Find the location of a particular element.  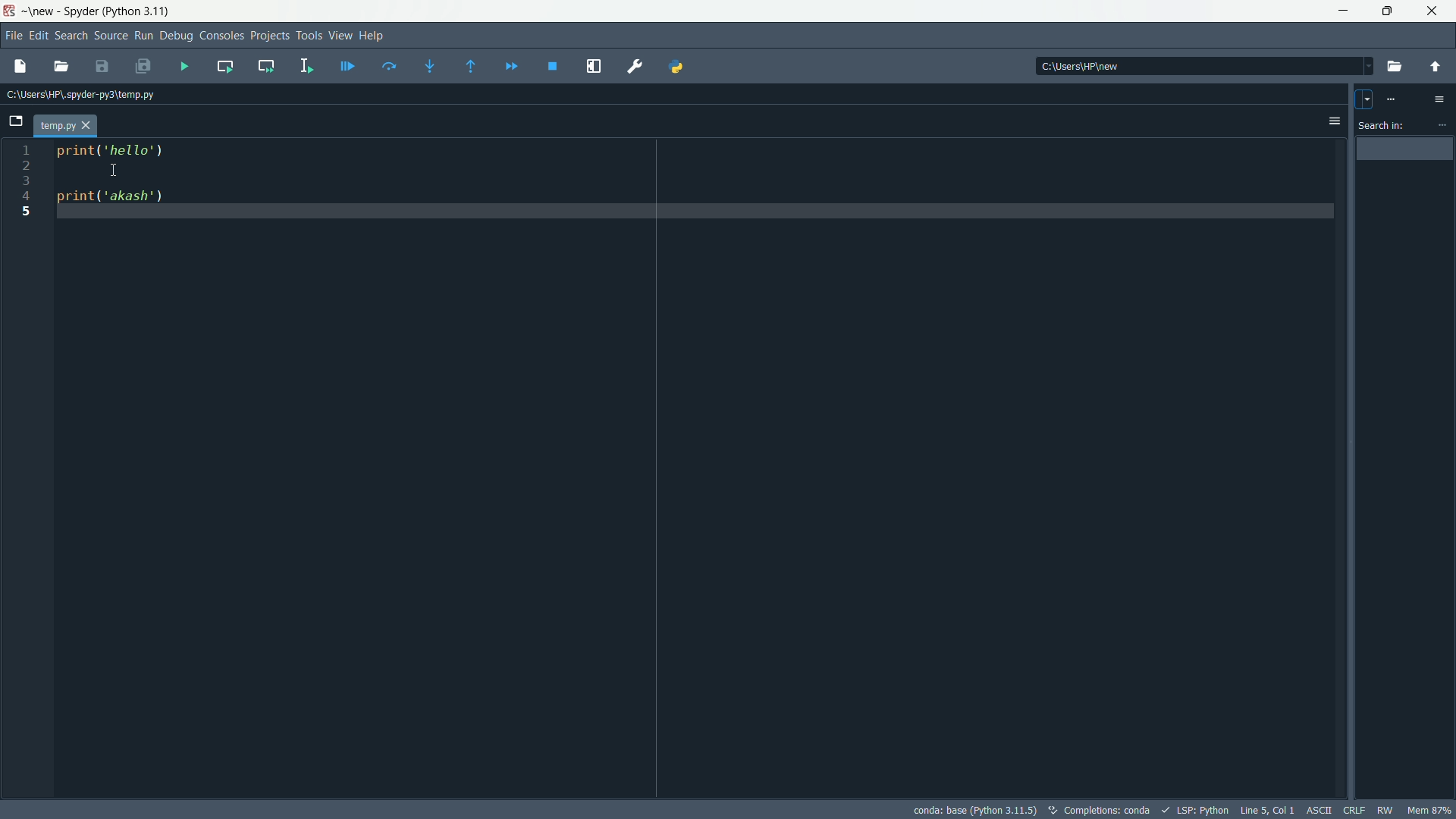

rstore is located at coordinates (1392, 11).